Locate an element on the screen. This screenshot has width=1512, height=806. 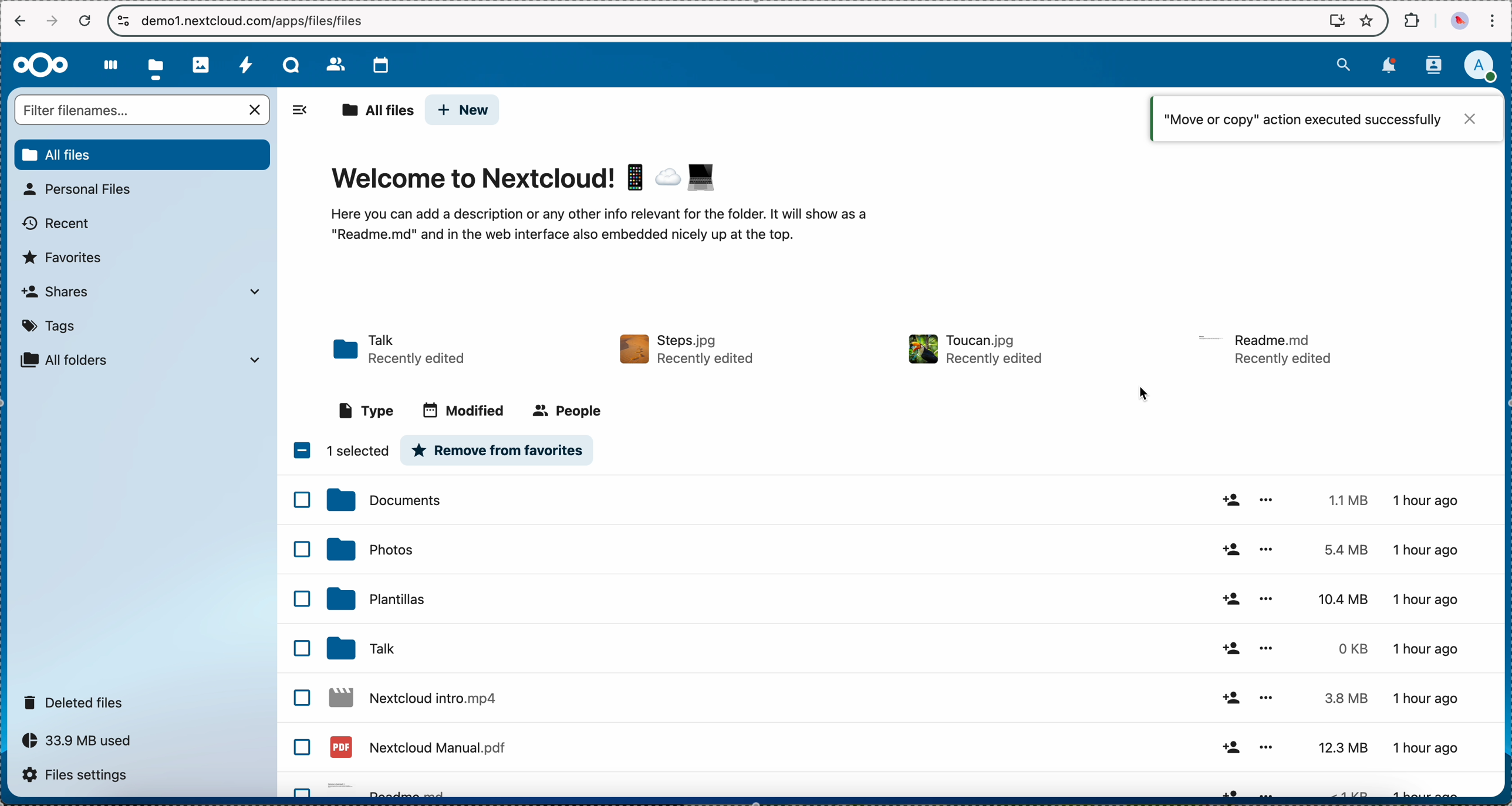
modified is located at coordinates (464, 412).